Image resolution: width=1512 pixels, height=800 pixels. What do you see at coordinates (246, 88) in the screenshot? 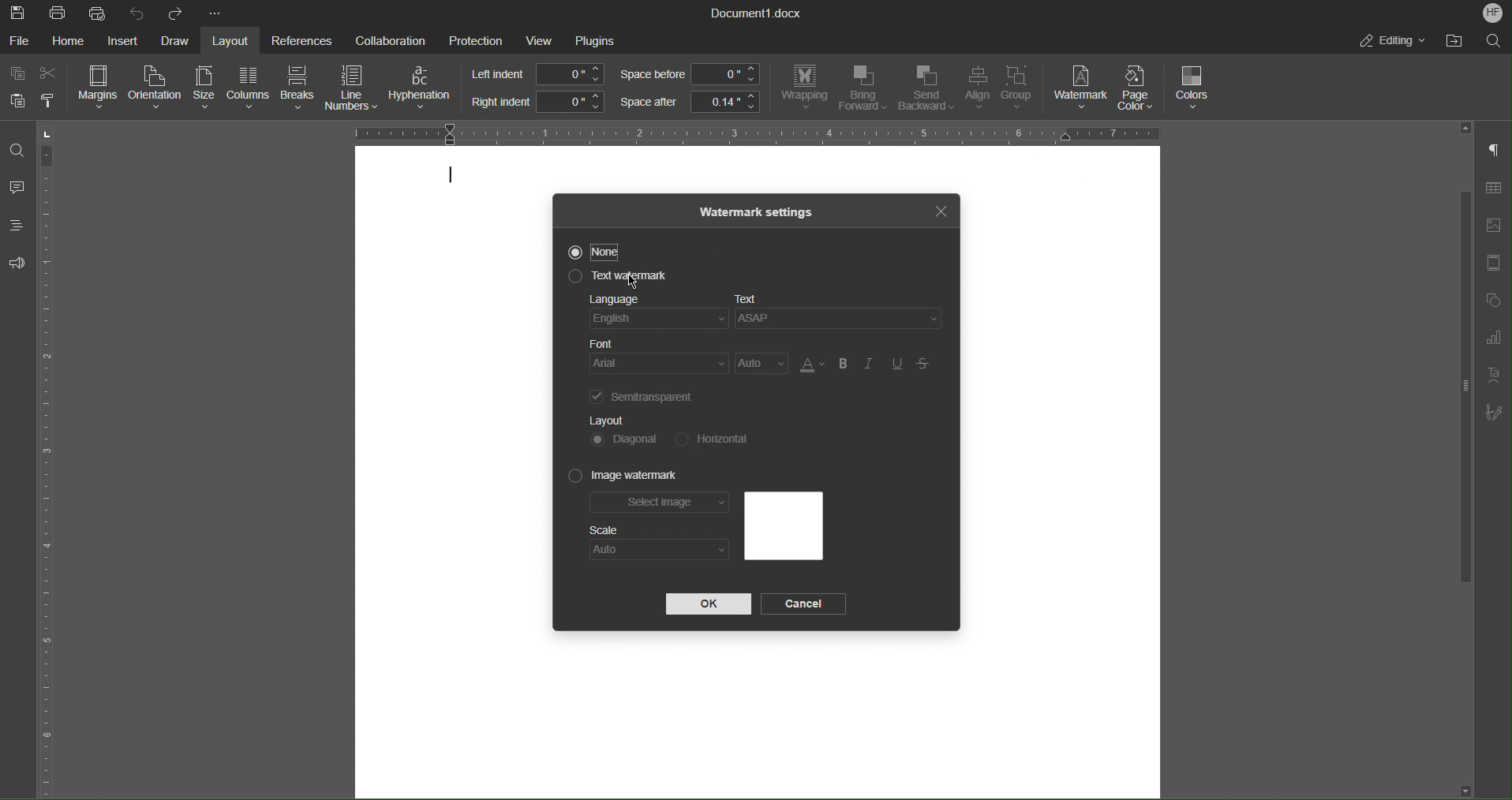
I see `Columns` at bounding box center [246, 88].